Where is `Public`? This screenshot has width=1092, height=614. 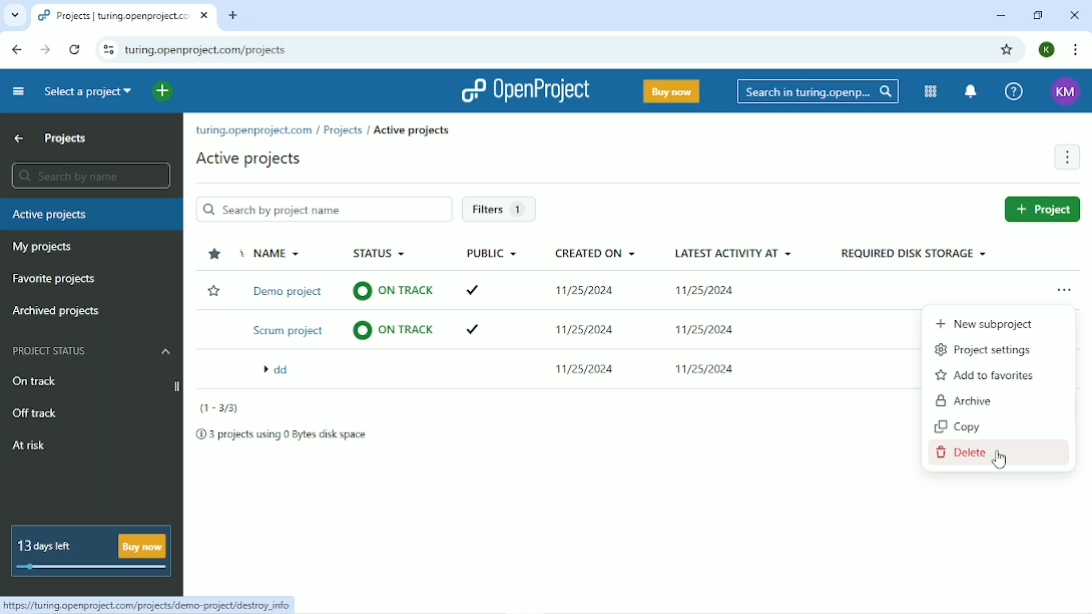
Public is located at coordinates (493, 253).